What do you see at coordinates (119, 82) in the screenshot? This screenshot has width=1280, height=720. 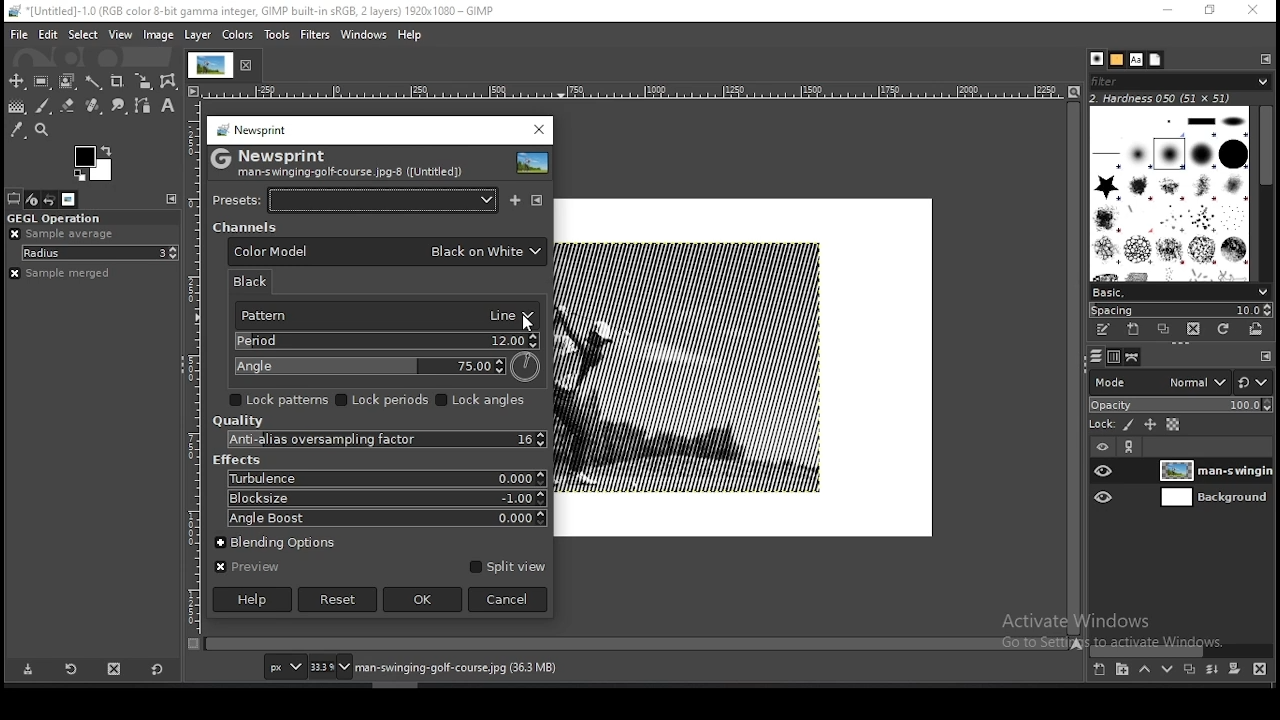 I see `crop tool` at bounding box center [119, 82].